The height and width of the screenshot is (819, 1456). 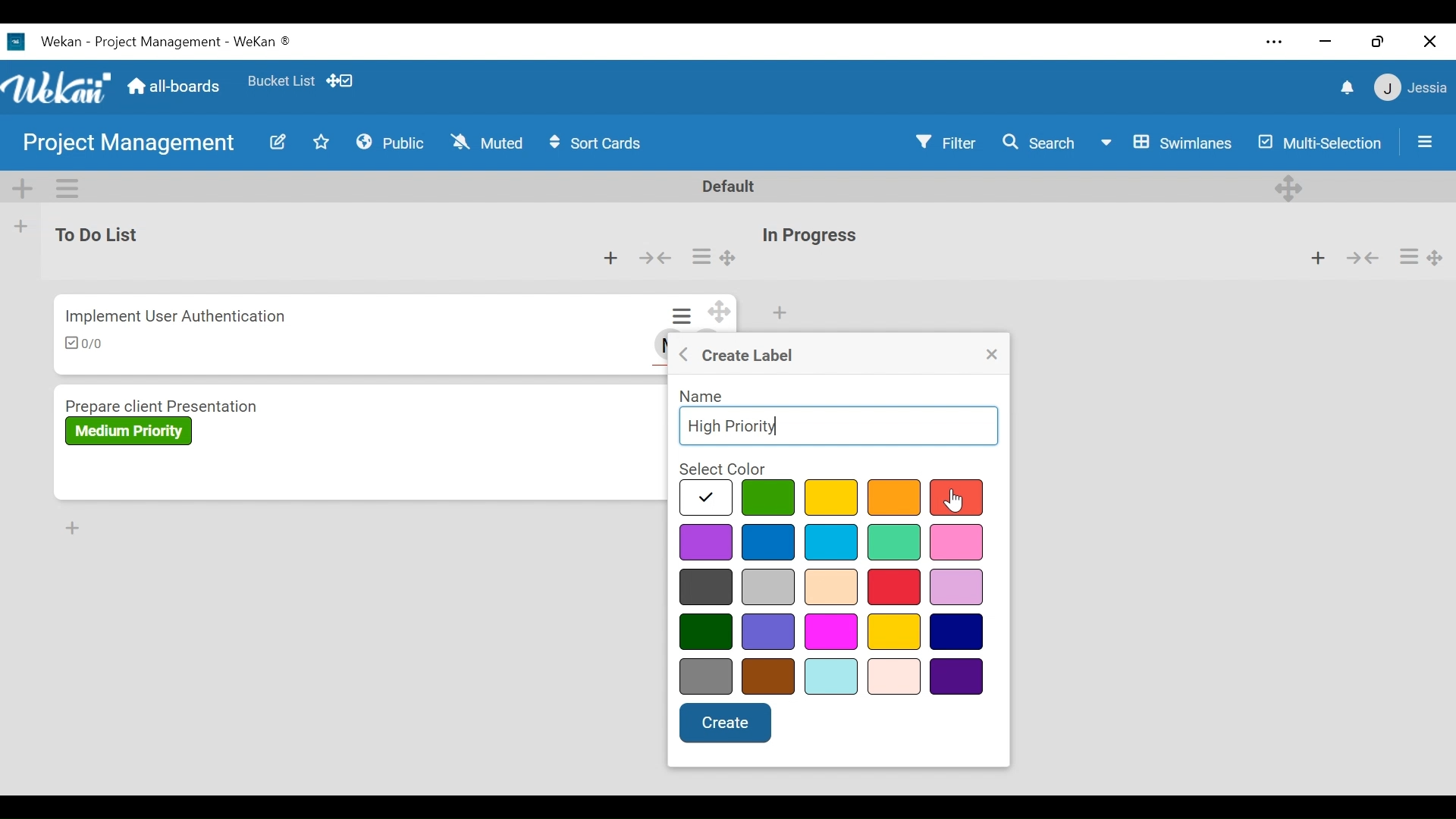 What do you see at coordinates (954, 501) in the screenshot?
I see `cursor` at bounding box center [954, 501].